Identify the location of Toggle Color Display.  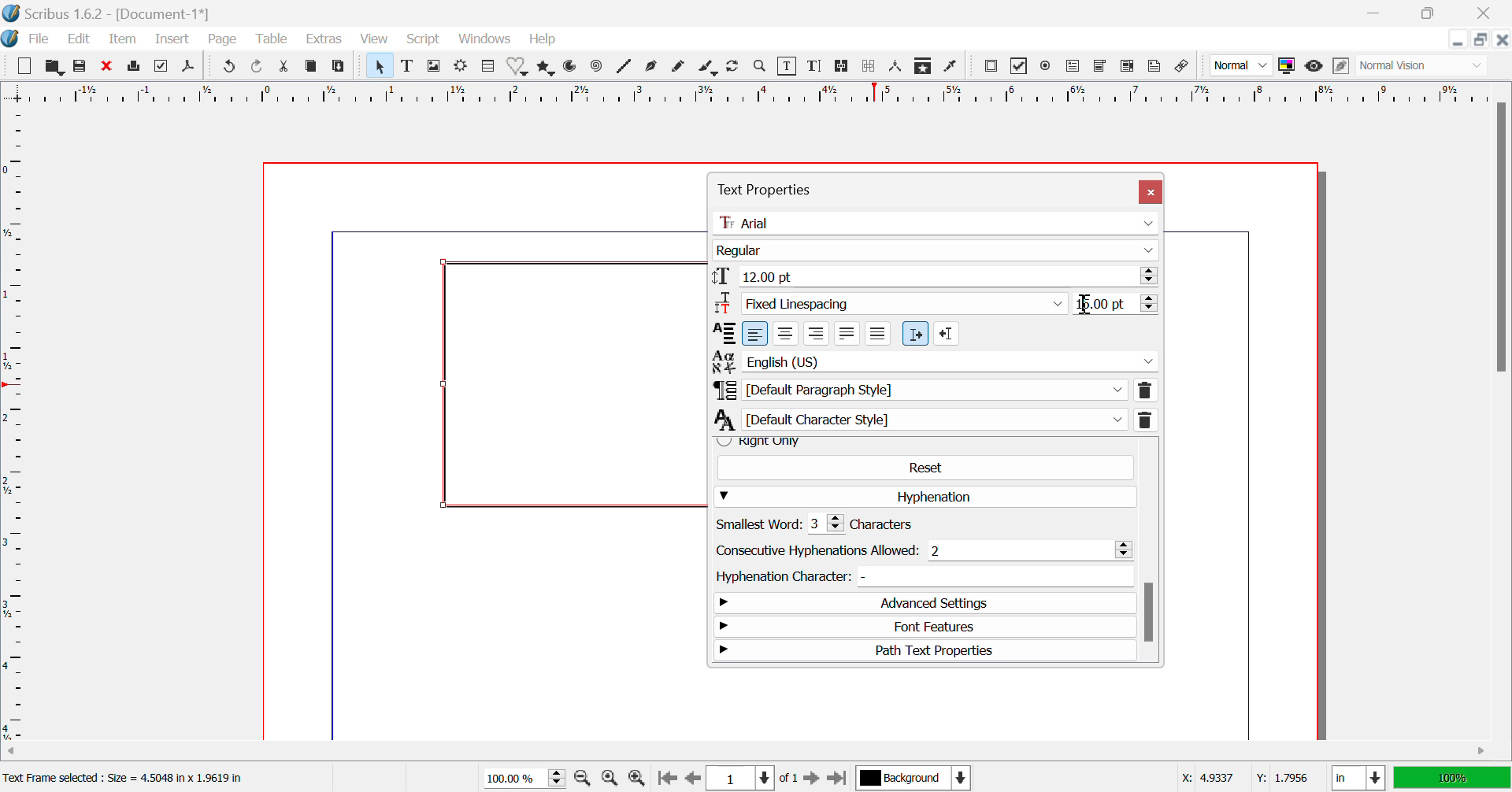
(1289, 67).